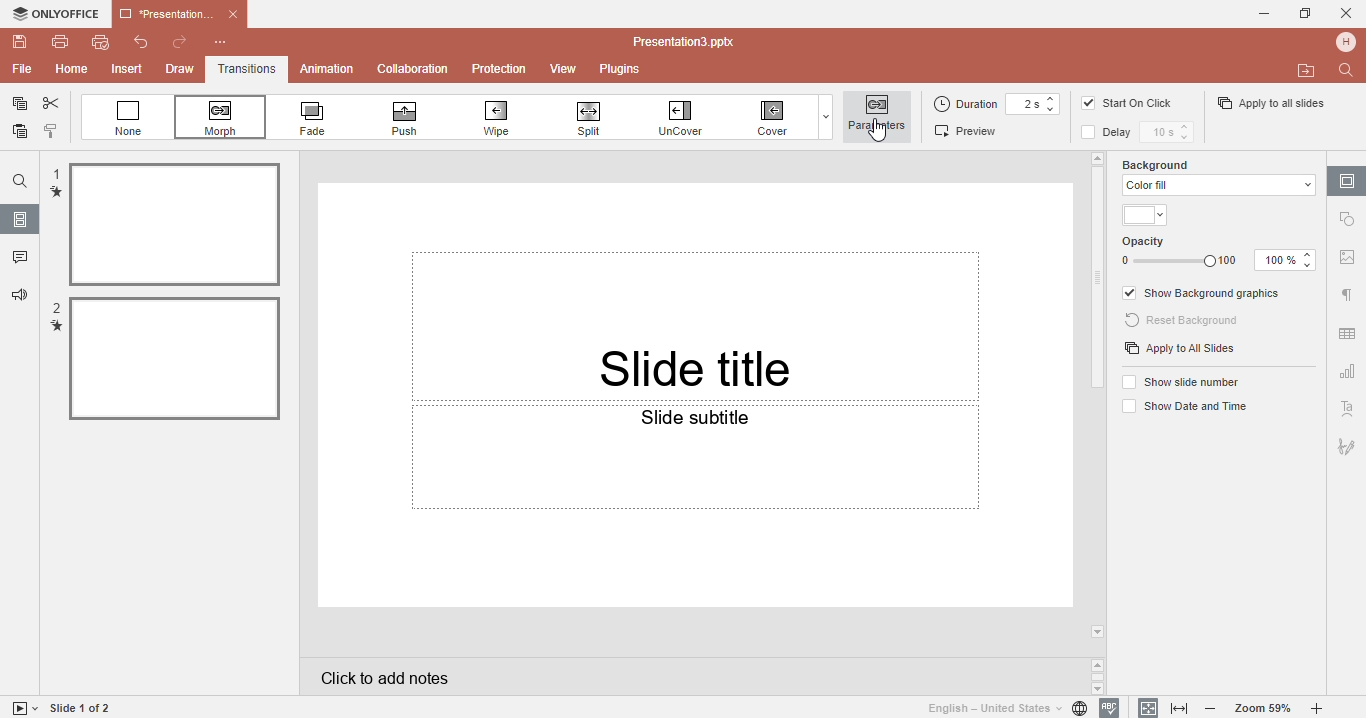 Image resolution: width=1366 pixels, height=718 pixels. What do you see at coordinates (1184, 381) in the screenshot?
I see `Show slide numbers` at bounding box center [1184, 381].